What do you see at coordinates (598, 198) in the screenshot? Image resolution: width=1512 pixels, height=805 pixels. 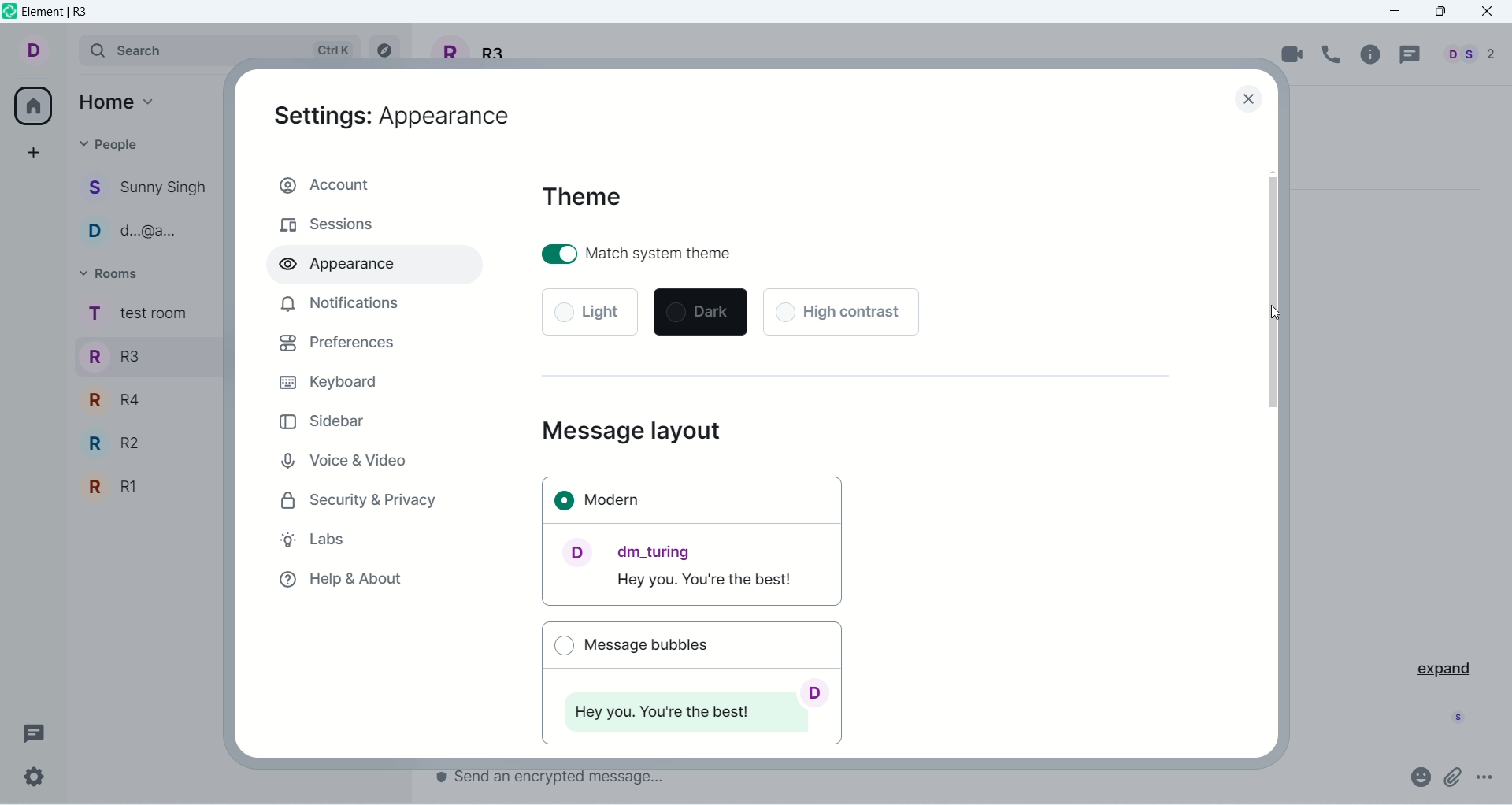 I see `theme` at bounding box center [598, 198].